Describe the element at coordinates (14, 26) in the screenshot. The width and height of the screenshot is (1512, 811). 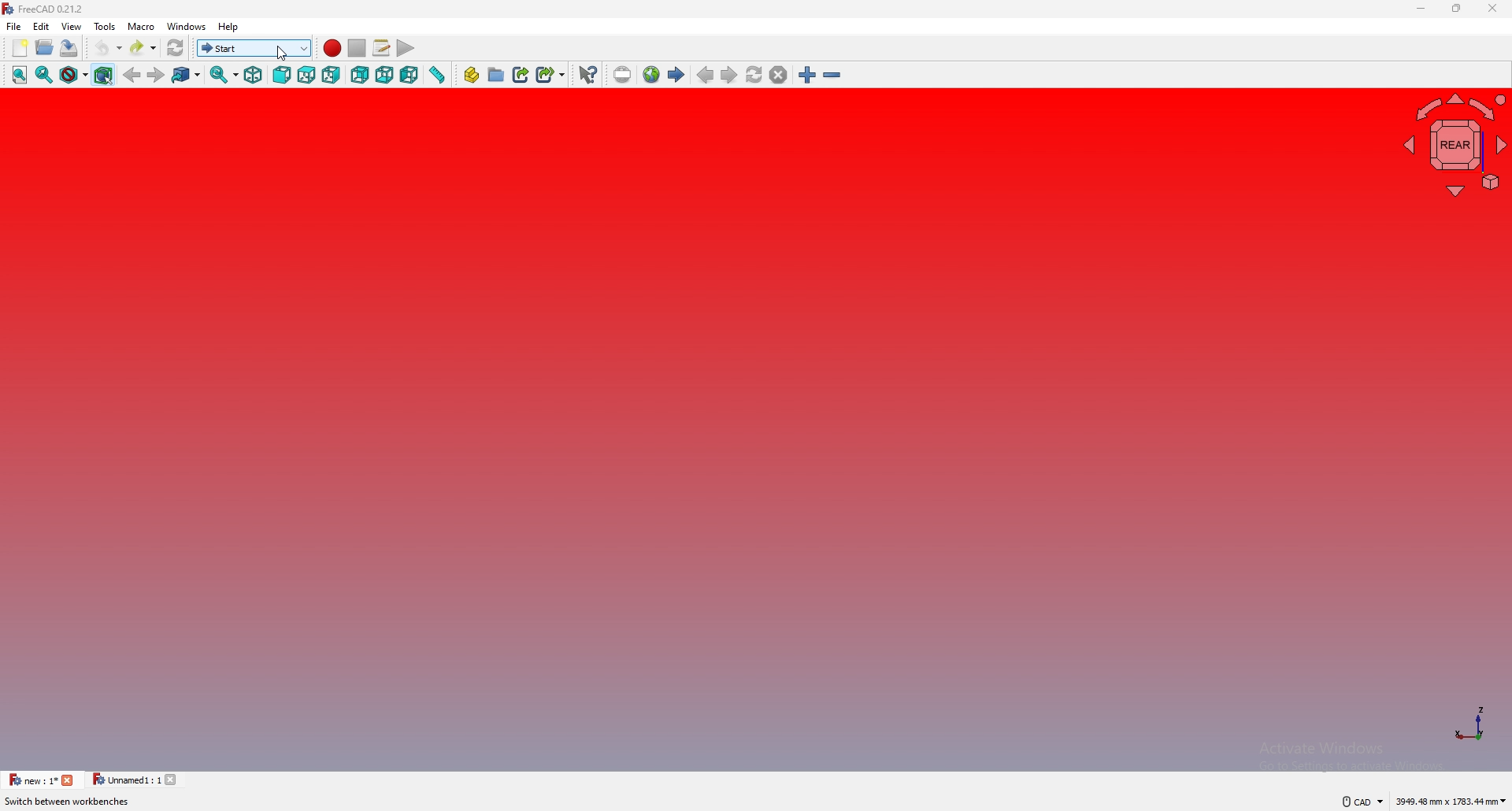
I see `file` at that location.